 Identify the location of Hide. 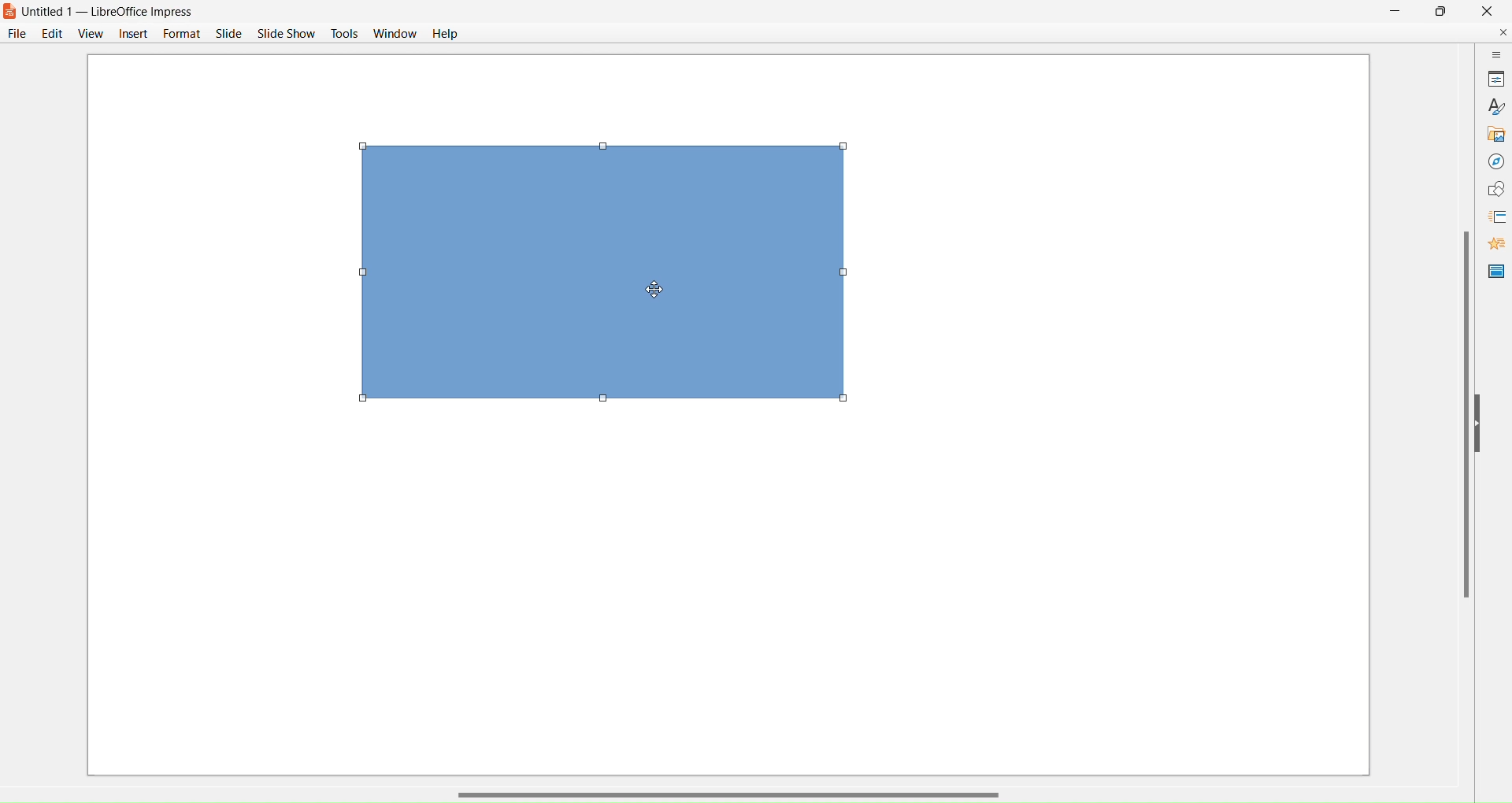
(1482, 424).